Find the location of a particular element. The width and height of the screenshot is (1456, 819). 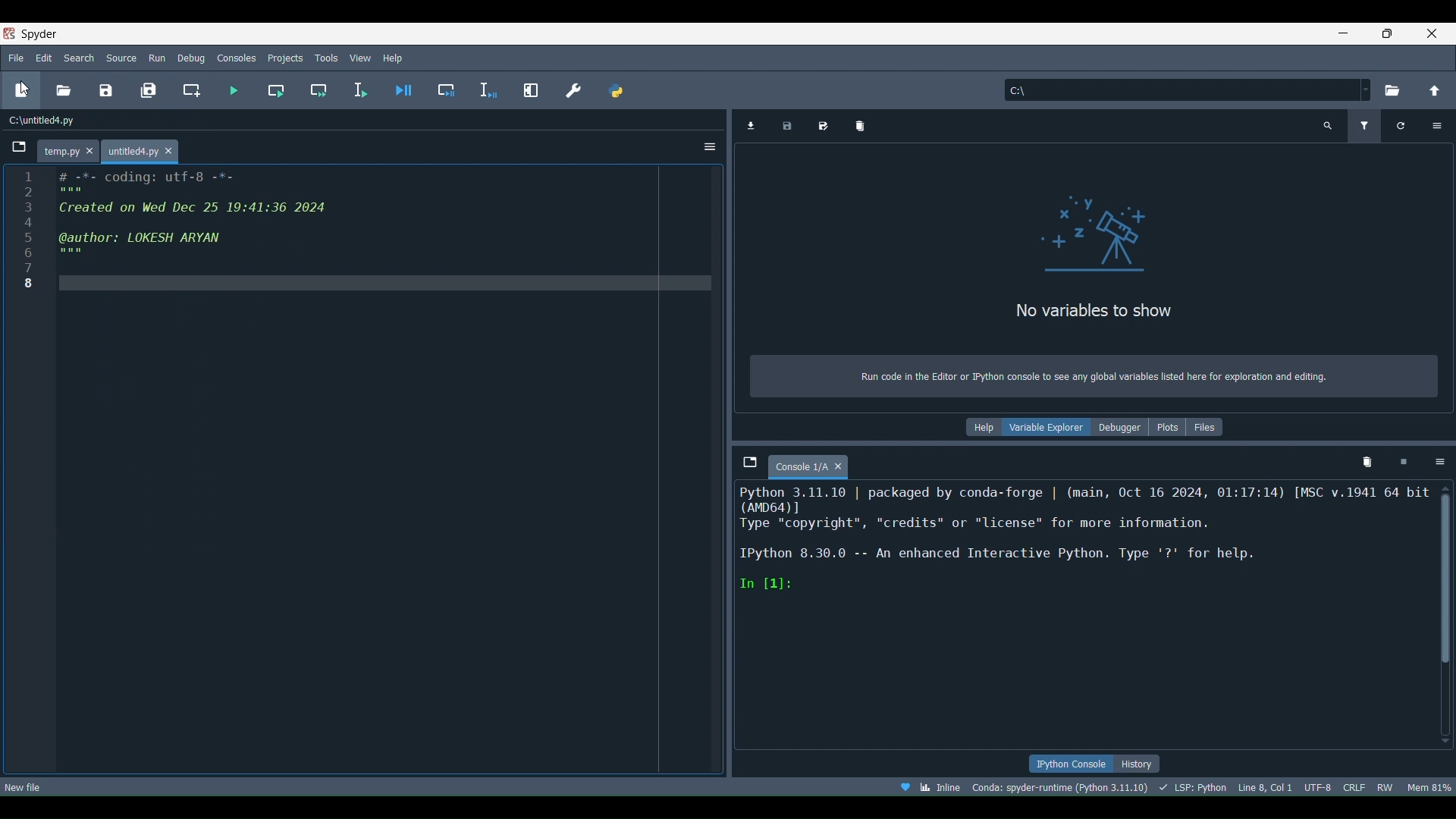

File EOL Status is located at coordinates (1355, 787).